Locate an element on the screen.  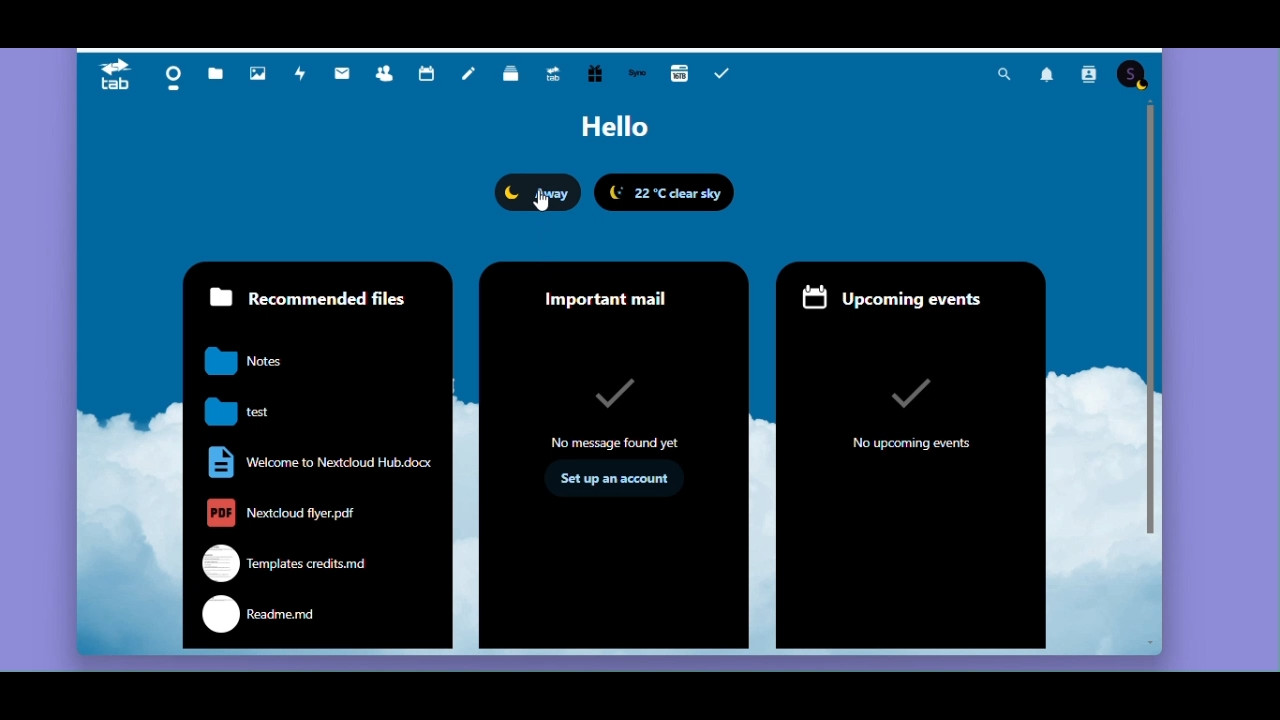
Photos is located at coordinates (255, 70).